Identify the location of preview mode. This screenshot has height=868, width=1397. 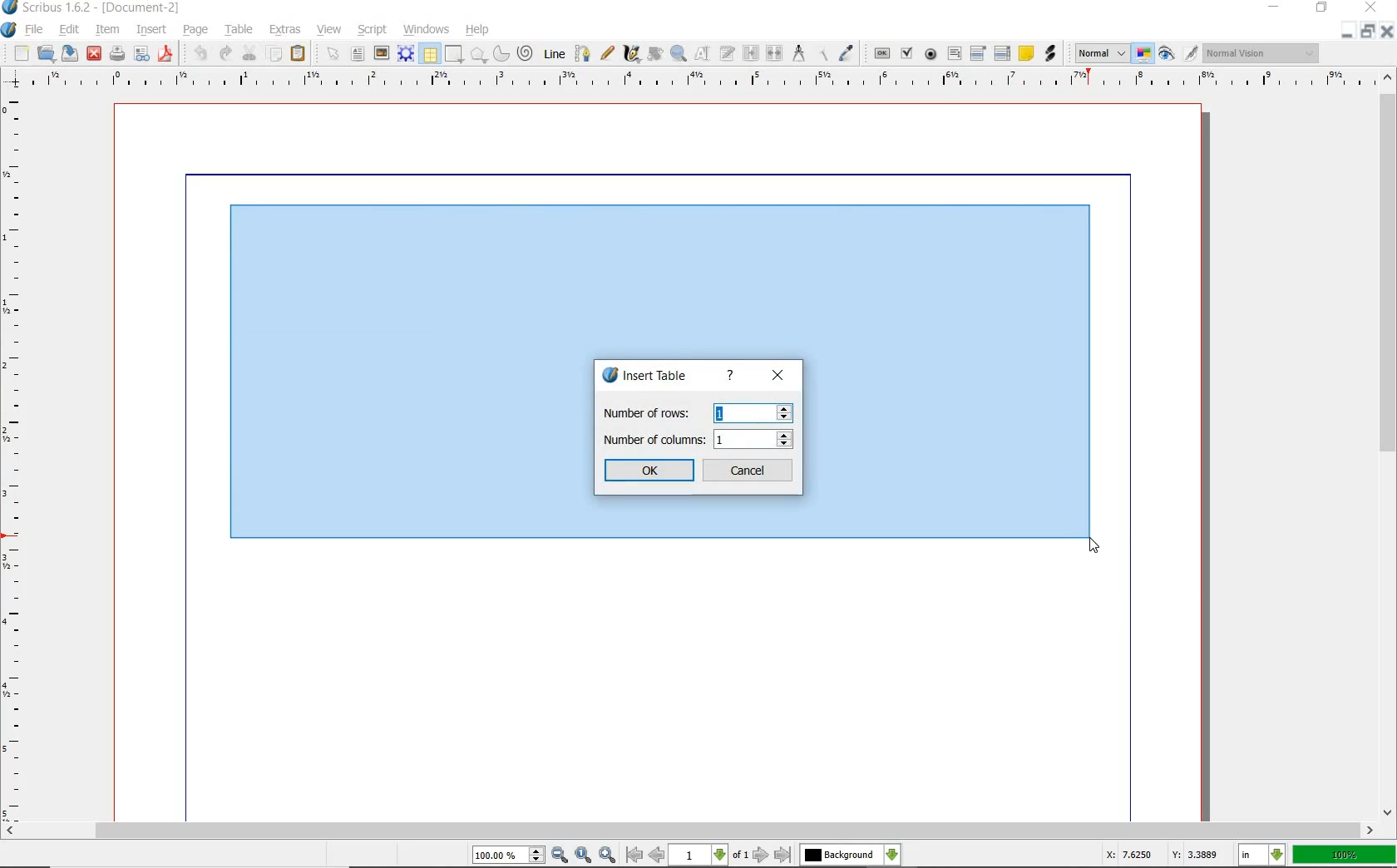
(1164, 55).